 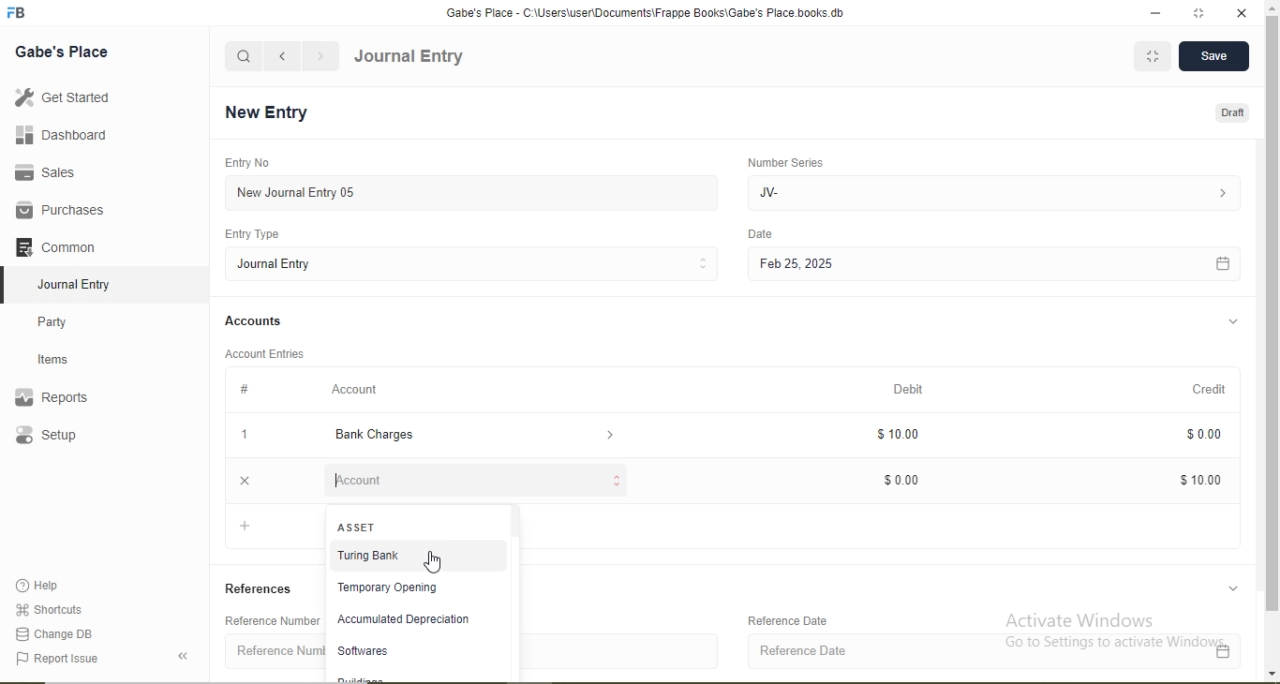 I want to click on $0.00, so click(x=1199, y=433).